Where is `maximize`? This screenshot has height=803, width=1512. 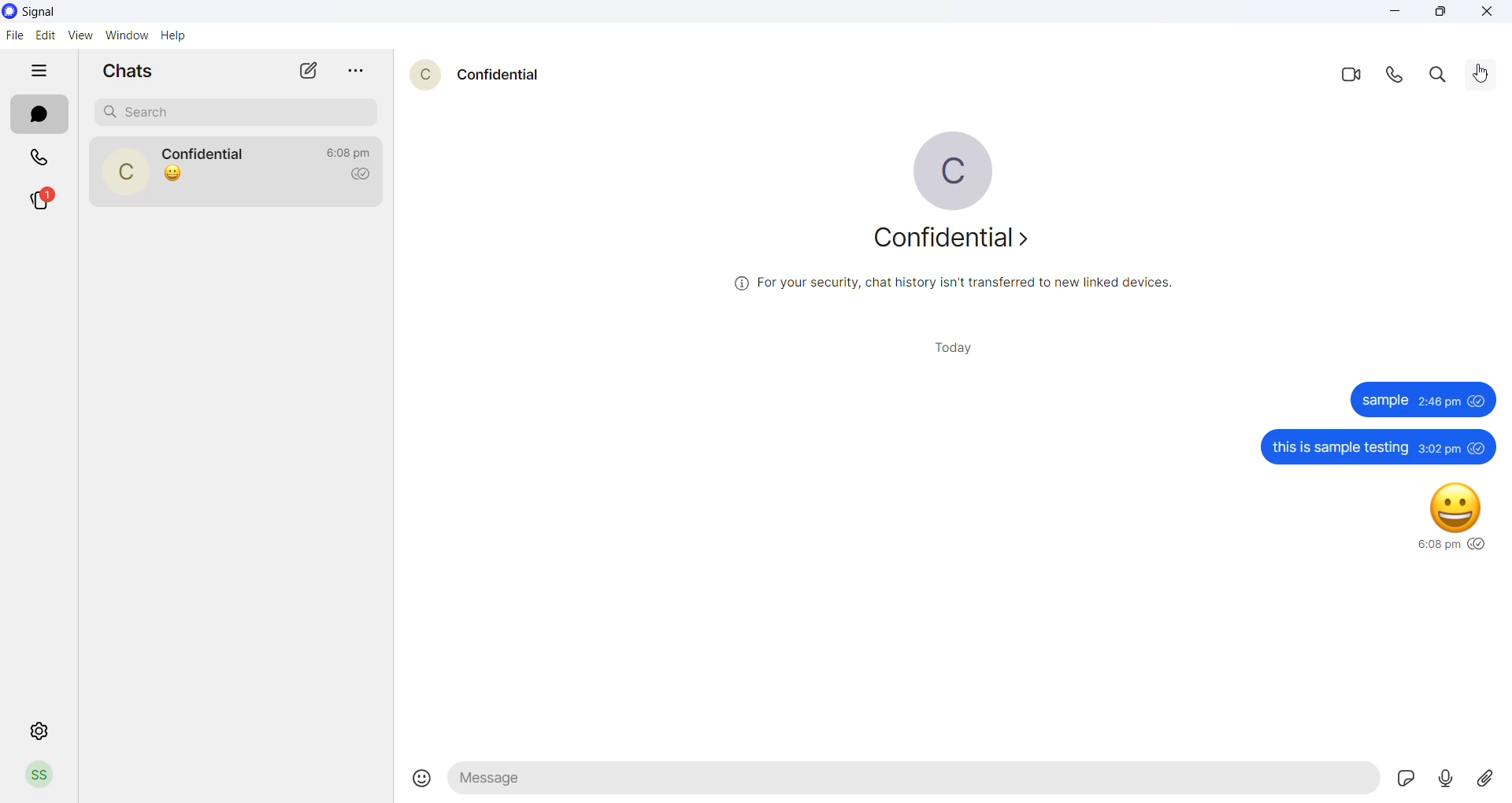
maximize is located at coordinates (1436, 12).